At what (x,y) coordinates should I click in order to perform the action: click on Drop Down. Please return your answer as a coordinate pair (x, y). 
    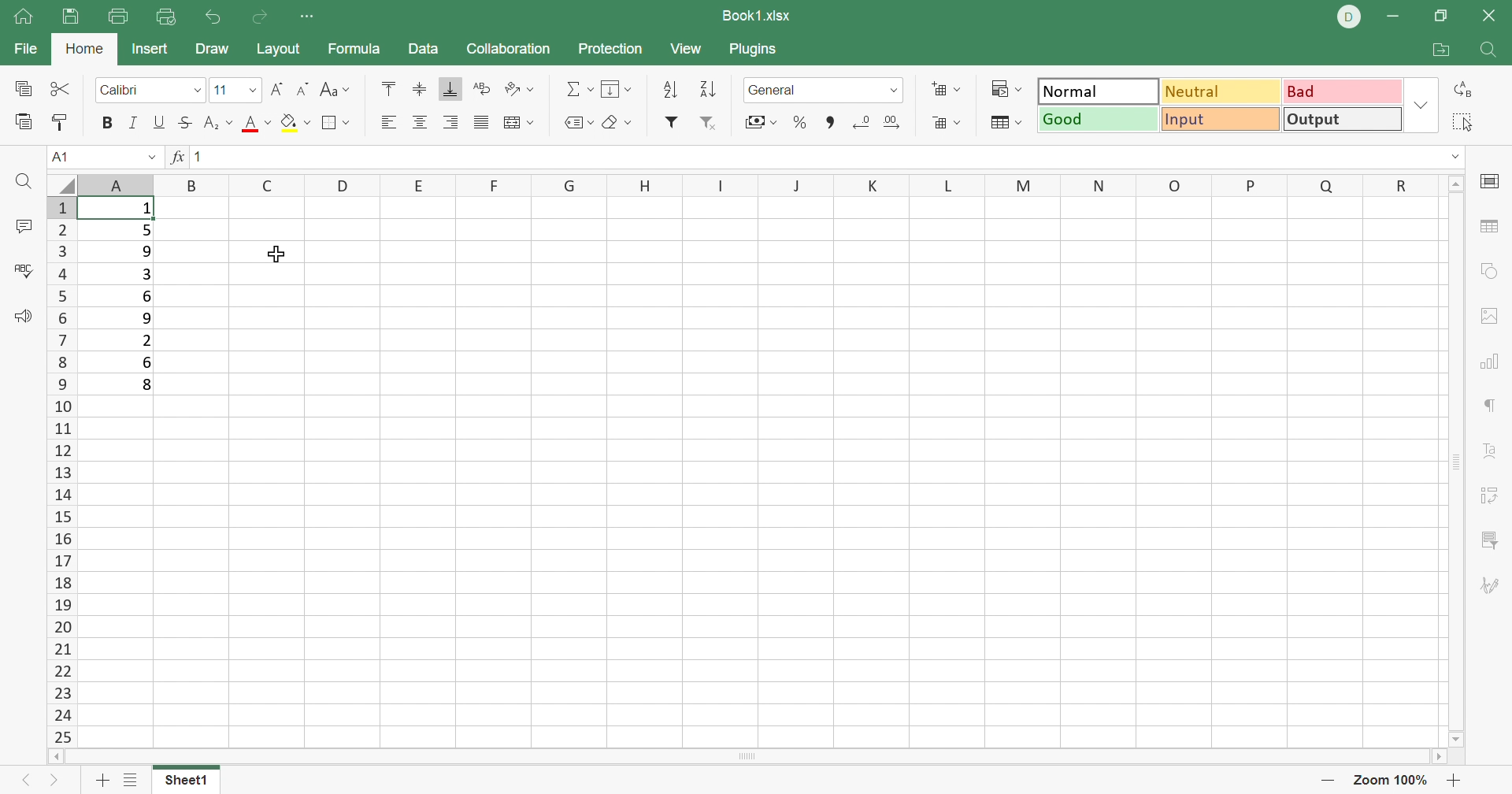
    Looking at the image, I should click on (1423, 104).